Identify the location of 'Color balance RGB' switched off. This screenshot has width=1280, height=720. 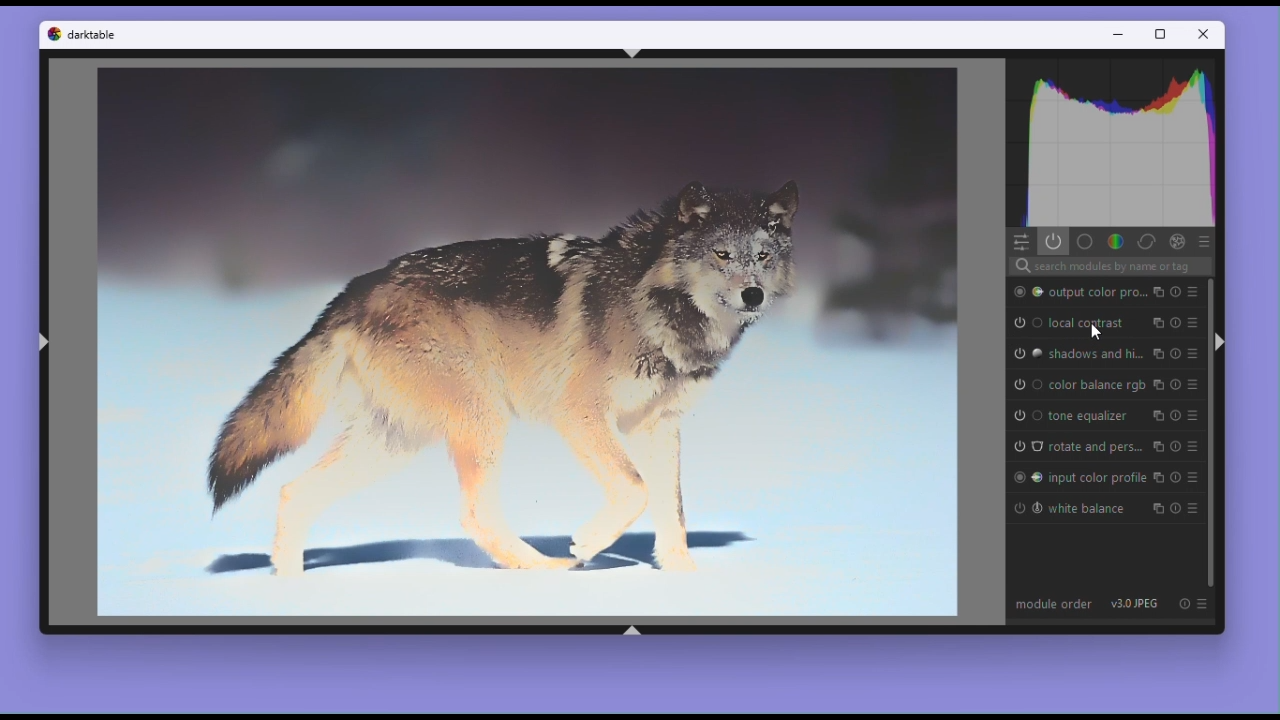
(1024, 384).